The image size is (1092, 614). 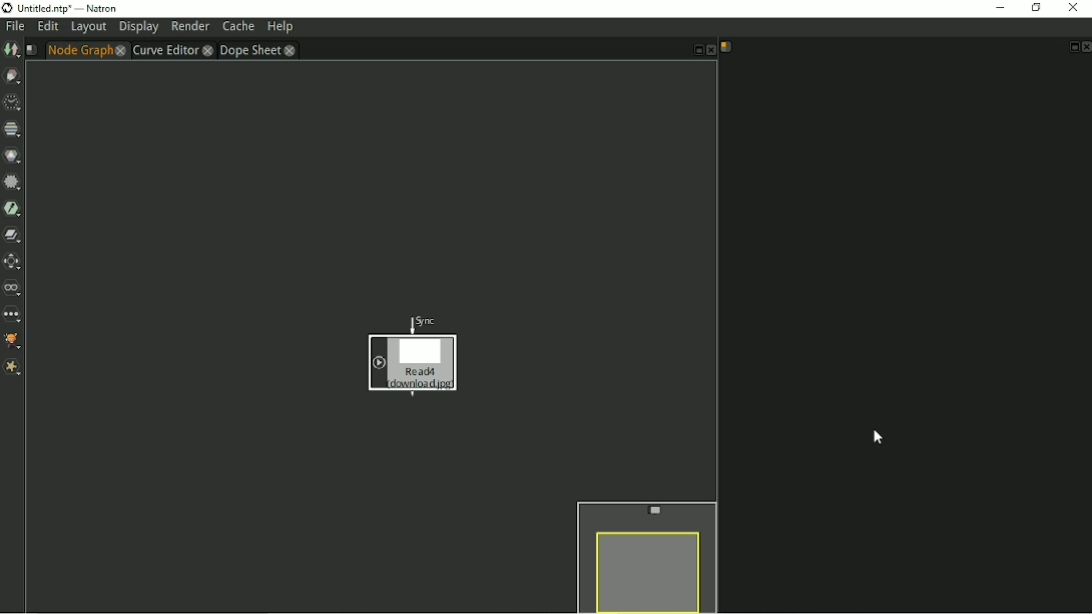 What do you see at coordinates (191, 26) in the screenshot?
I see `Render` at bounding box center [191, 26].